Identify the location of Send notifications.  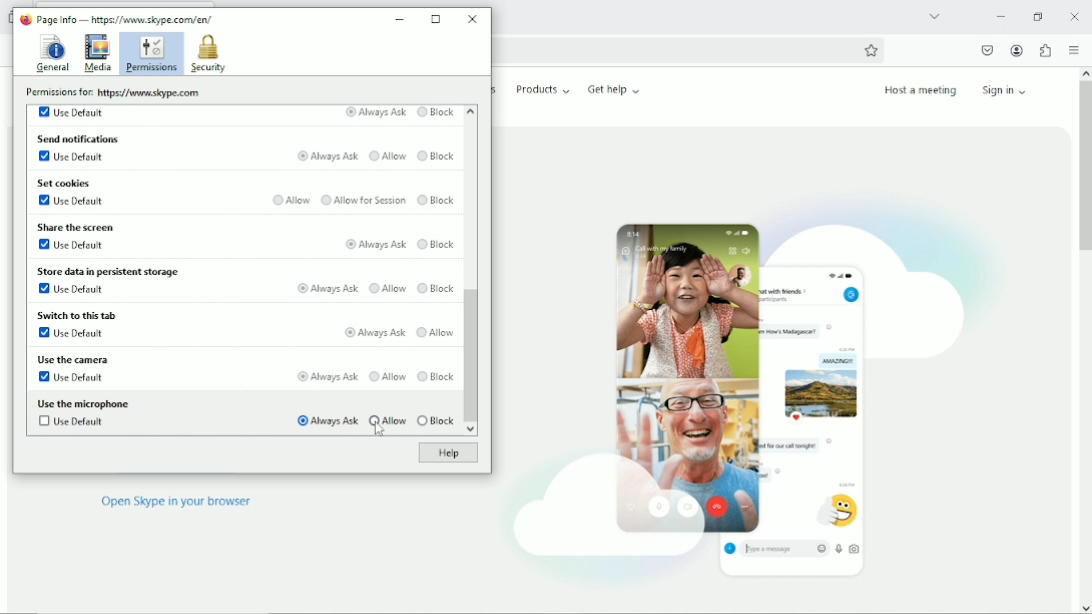
(79, 138).